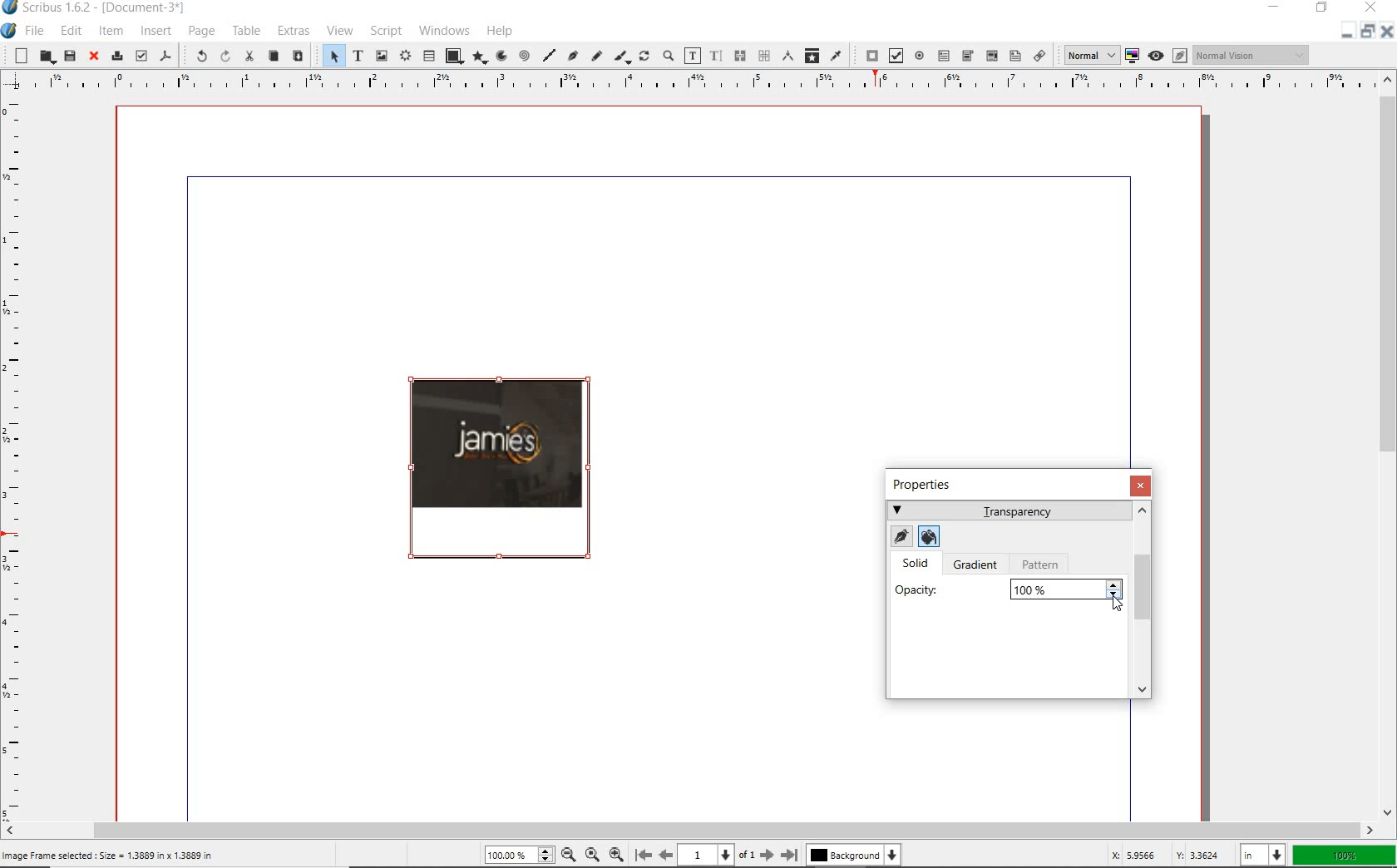 This screenshot has width=1397, height=868. I want to click on link text frames, so click(738, 55).